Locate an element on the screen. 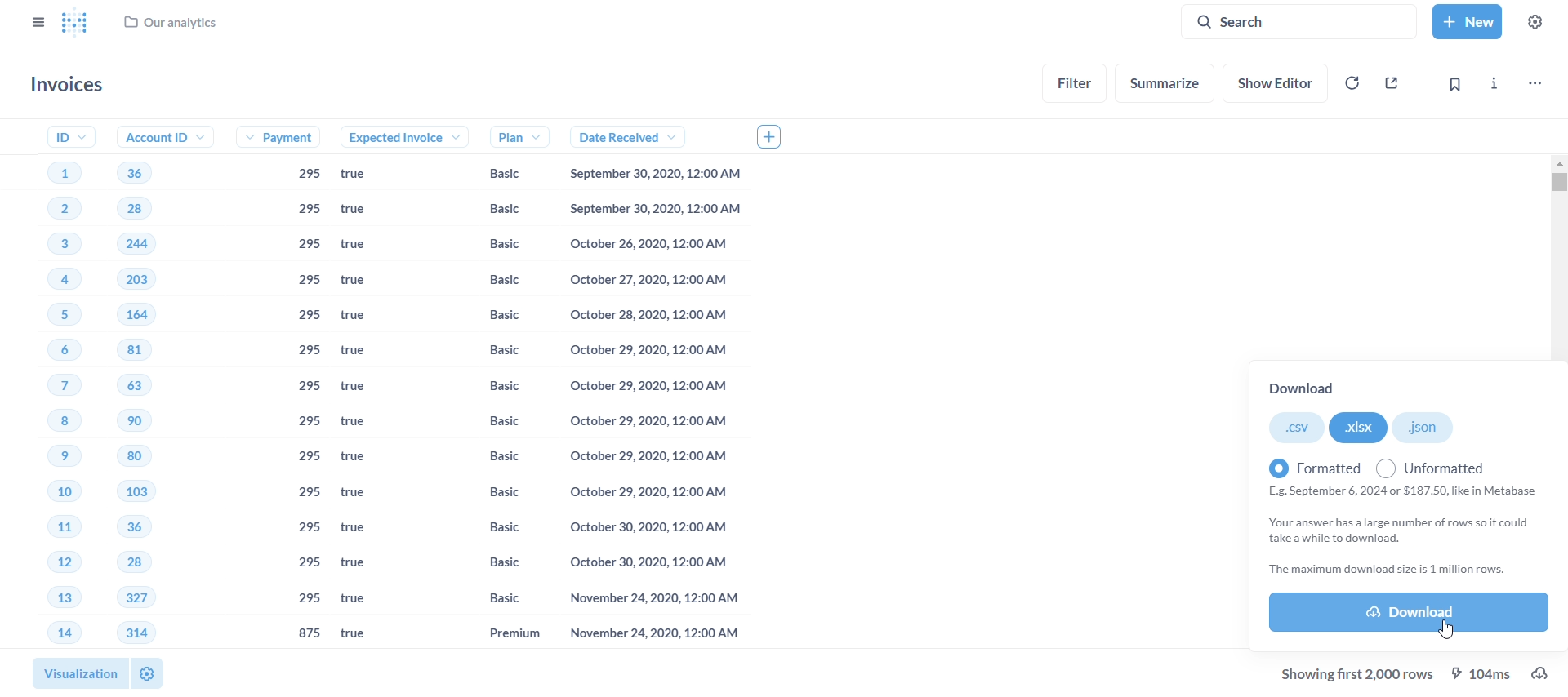 This screenshot has width=1568, height=697. 4 is located at coordinates (53, 281).